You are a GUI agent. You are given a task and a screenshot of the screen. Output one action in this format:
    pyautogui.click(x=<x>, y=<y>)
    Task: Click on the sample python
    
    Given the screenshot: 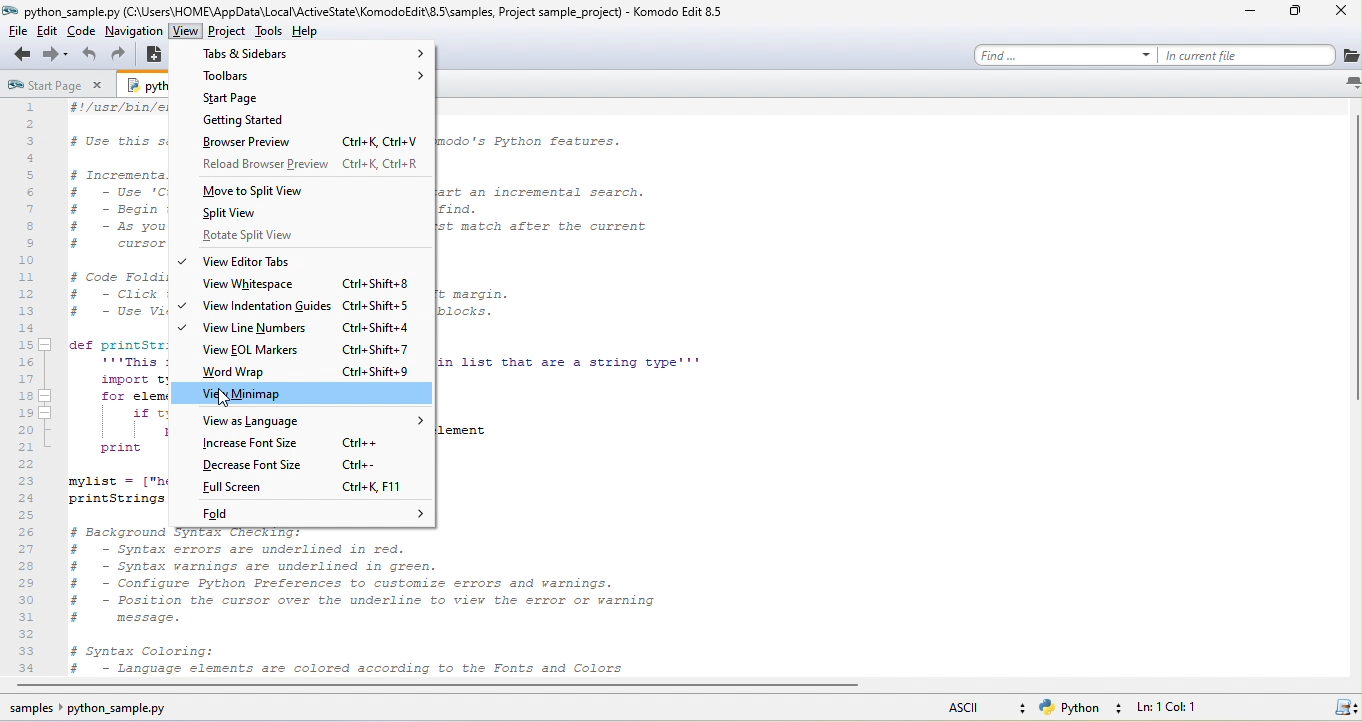 What is the action you would take?
    pyautogui.click(x=86, y=711)
    